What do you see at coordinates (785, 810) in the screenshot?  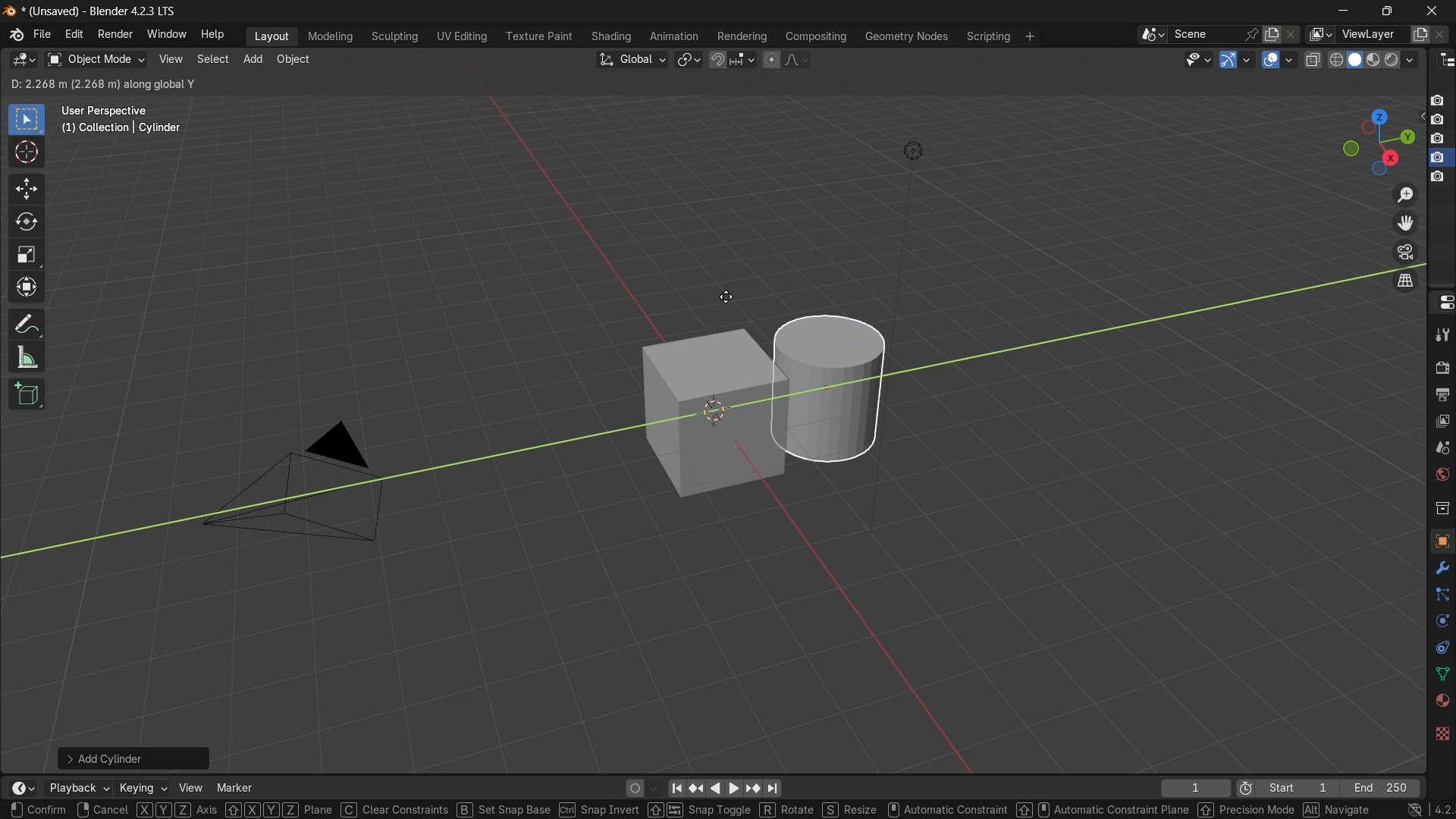 I see `rotate` at bounding box center [785, 810].